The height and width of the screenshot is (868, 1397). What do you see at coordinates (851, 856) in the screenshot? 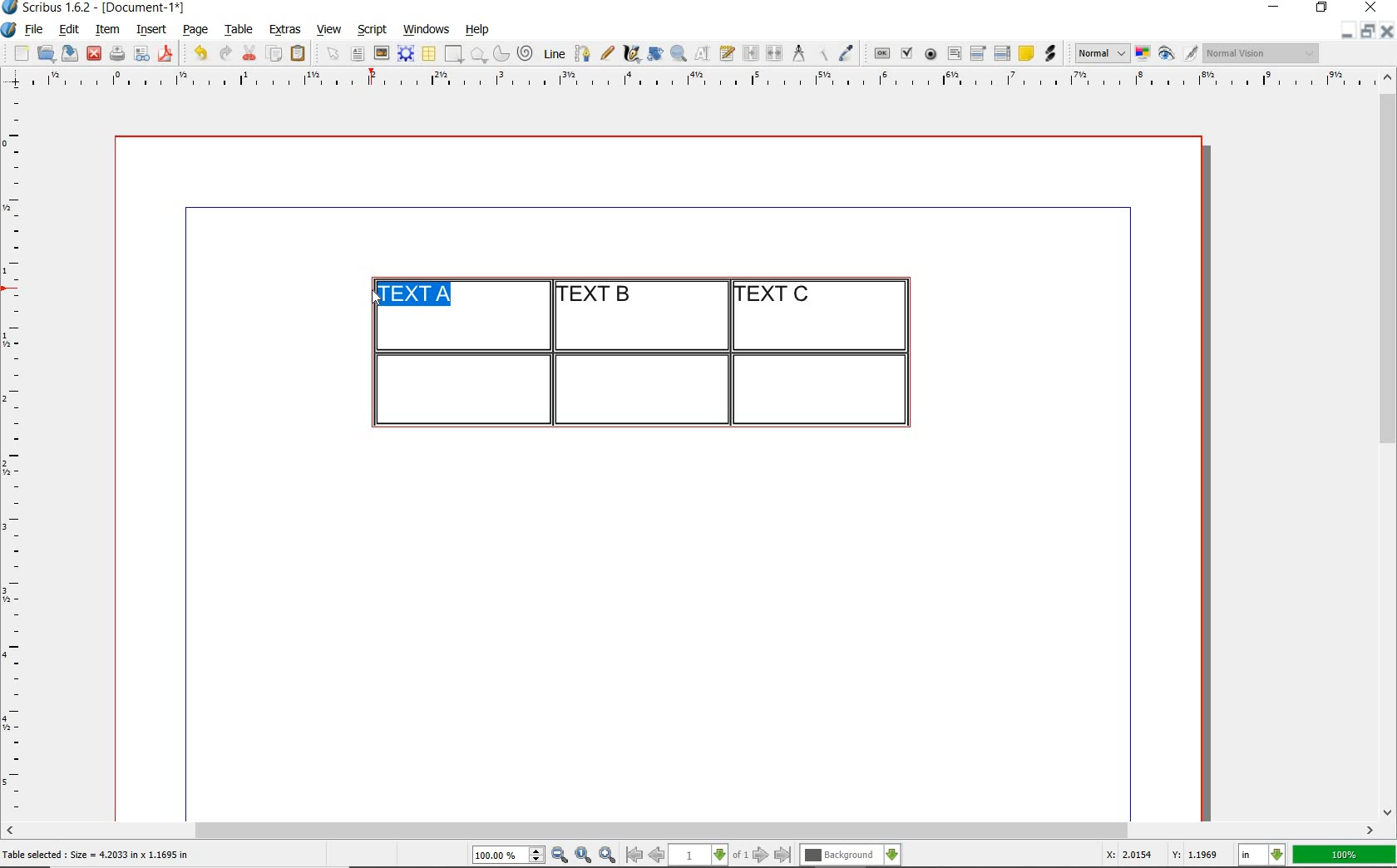
I see `select the current layer` at bounding box center [851, 856].